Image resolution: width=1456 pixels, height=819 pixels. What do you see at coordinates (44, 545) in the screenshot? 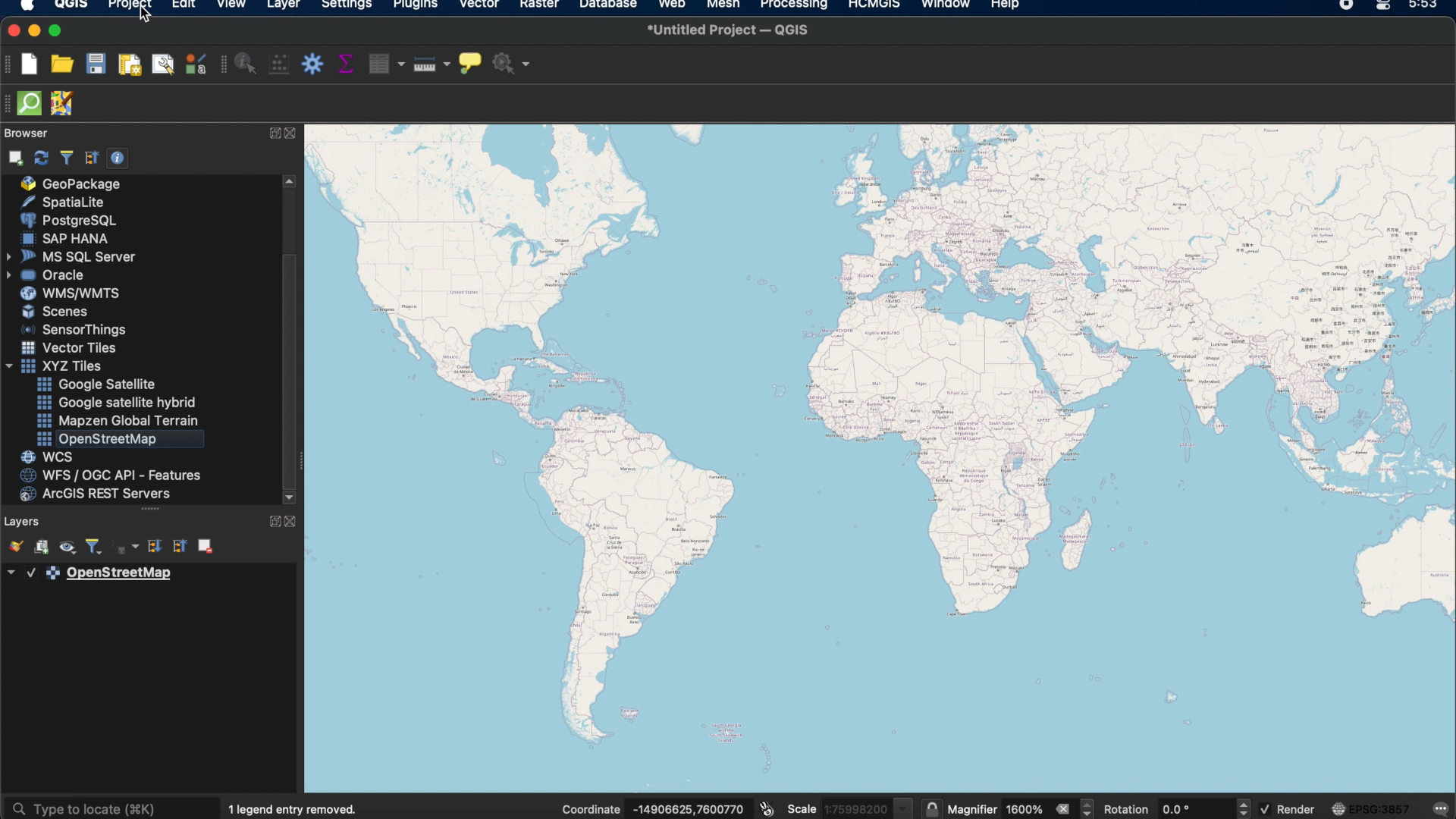
I see `add group` at bounding box center [44, 545].